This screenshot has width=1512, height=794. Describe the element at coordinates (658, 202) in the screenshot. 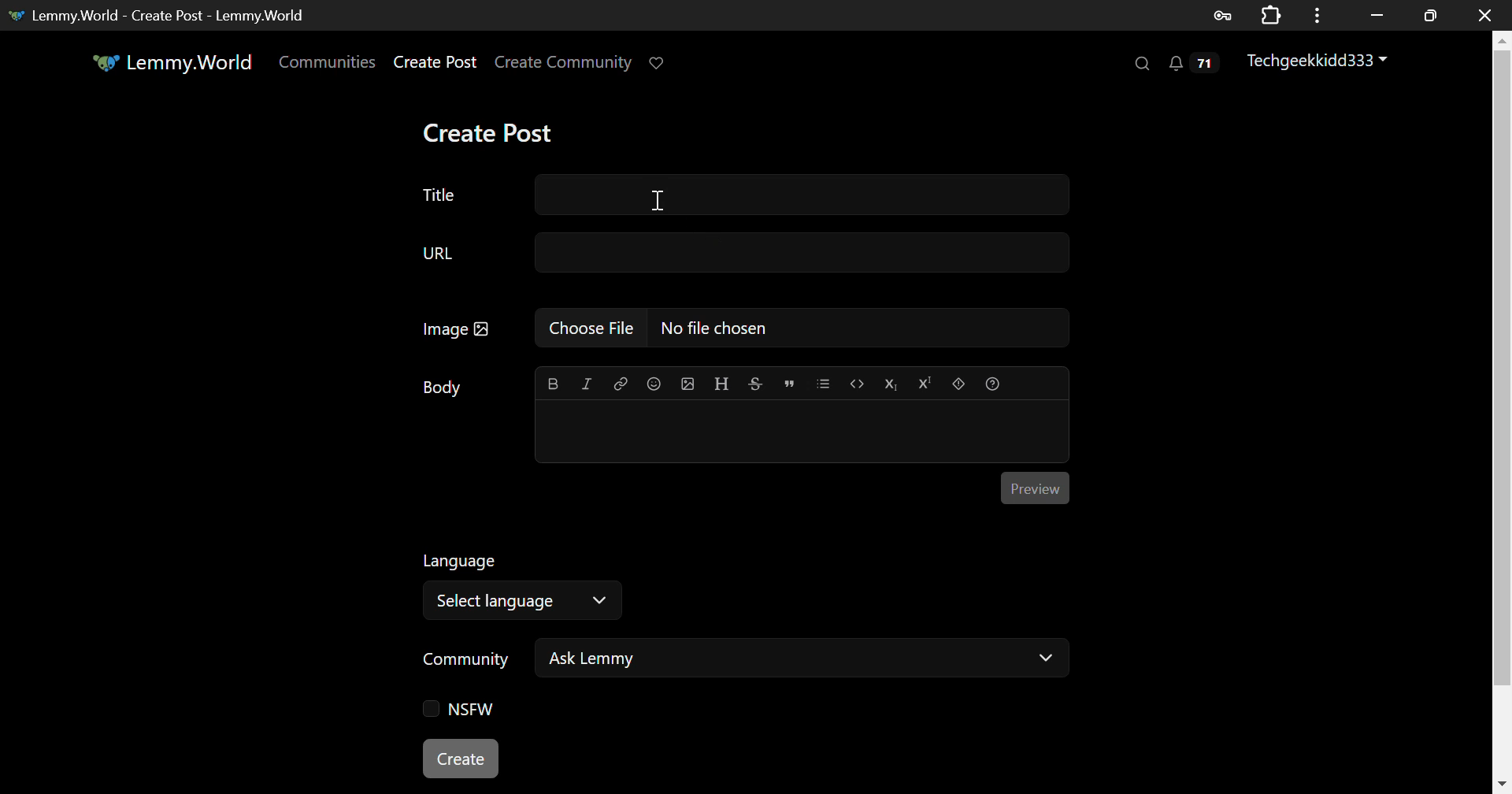

I see `Cursor Position` at that location.